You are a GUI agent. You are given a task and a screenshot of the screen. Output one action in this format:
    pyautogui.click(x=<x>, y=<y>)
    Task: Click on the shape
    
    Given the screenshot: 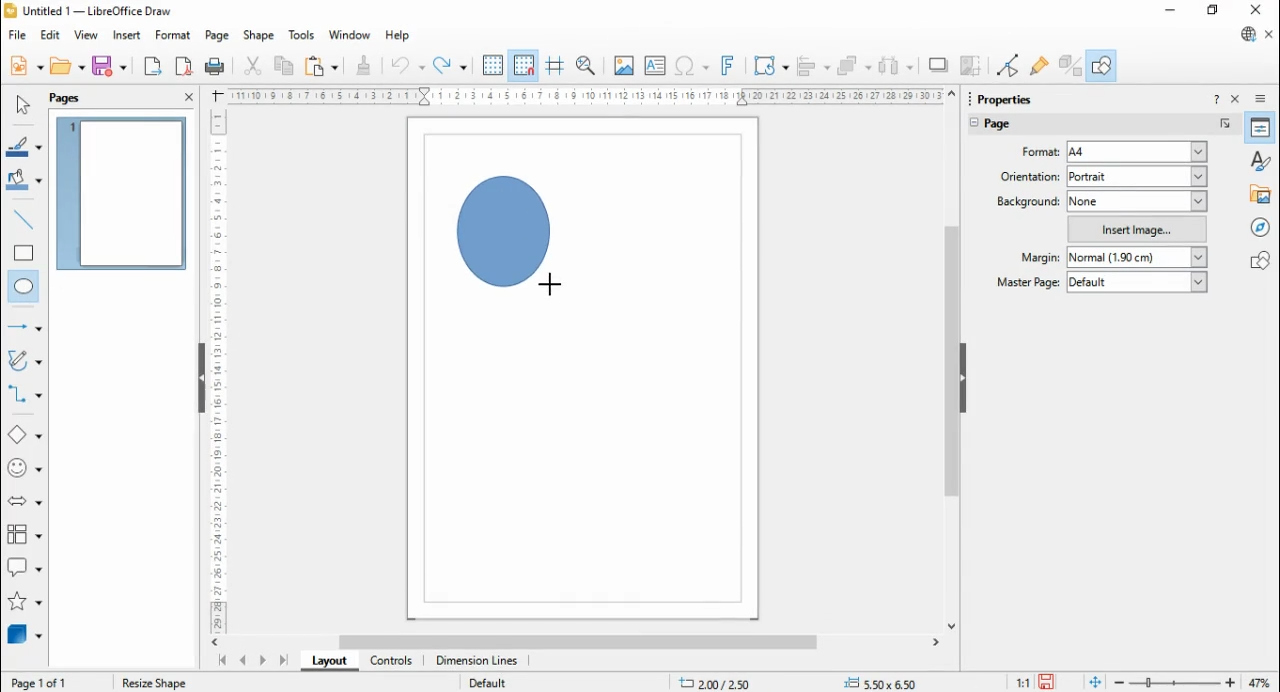 What is the action you would take?
    pyautogui.click(x=258, y=36)
    